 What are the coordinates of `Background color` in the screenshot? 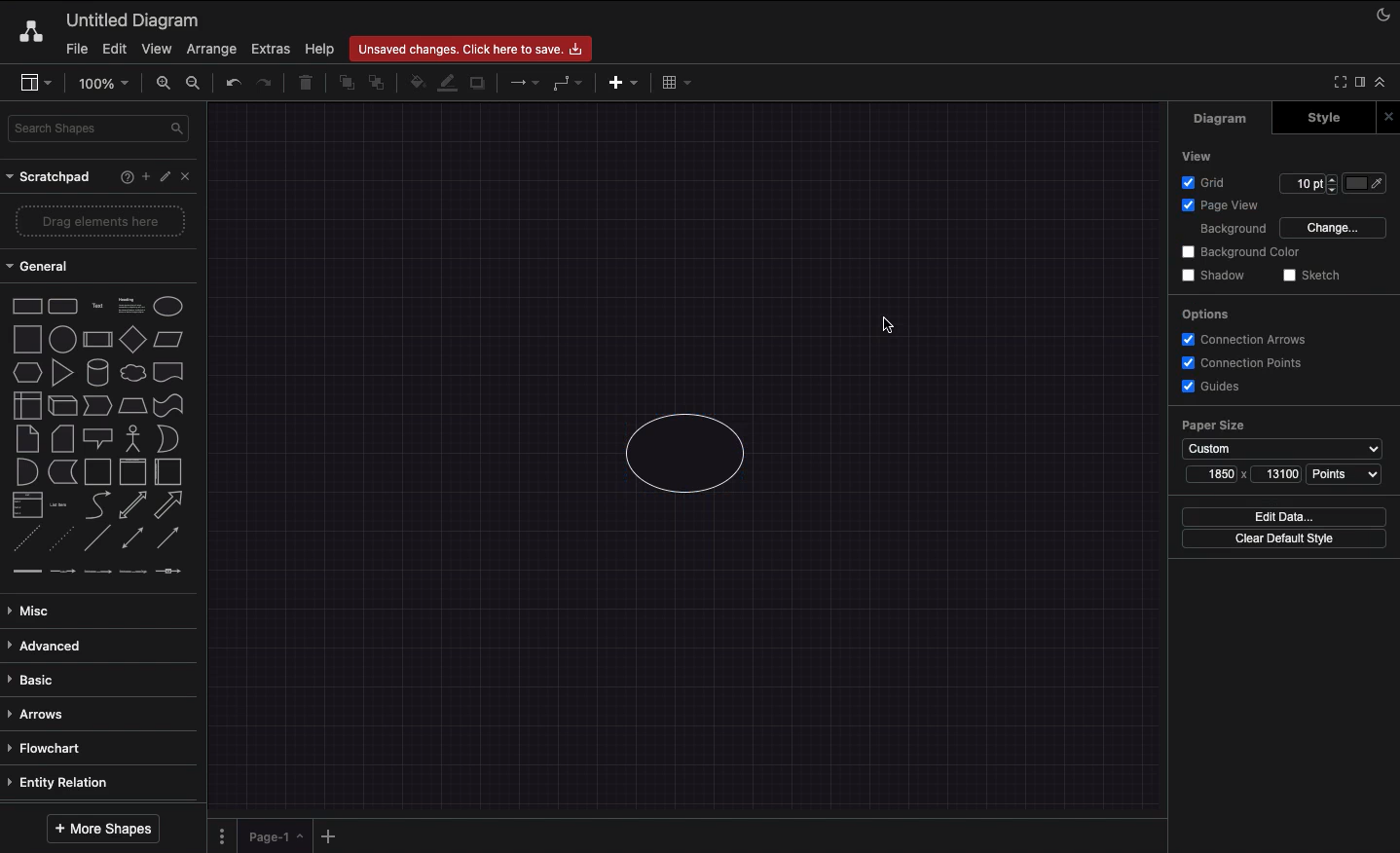 It's located at (1243, 252).